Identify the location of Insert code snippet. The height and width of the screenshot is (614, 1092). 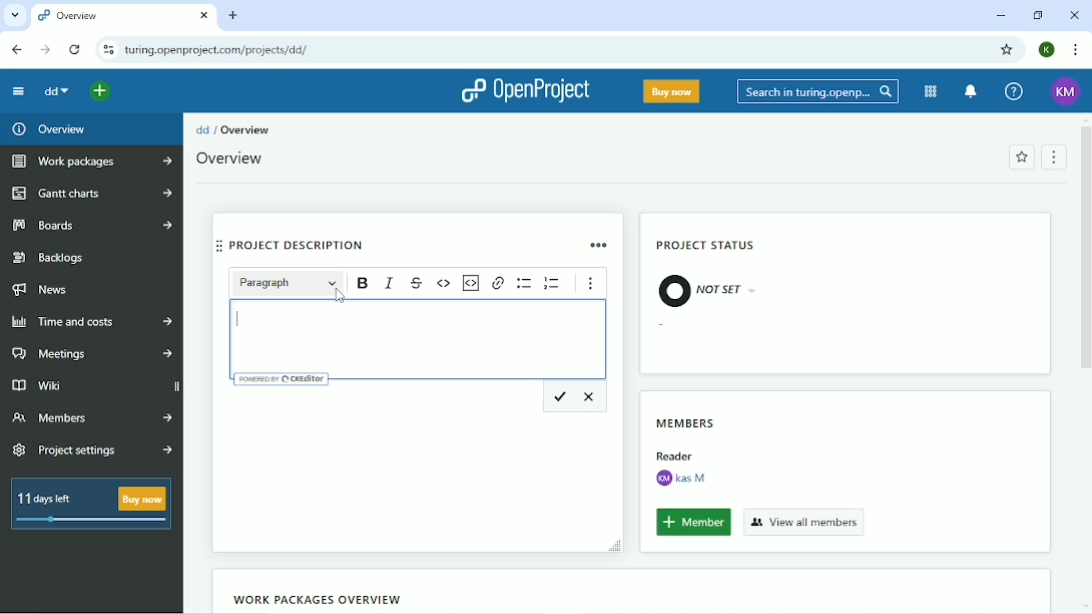
(471, 282).